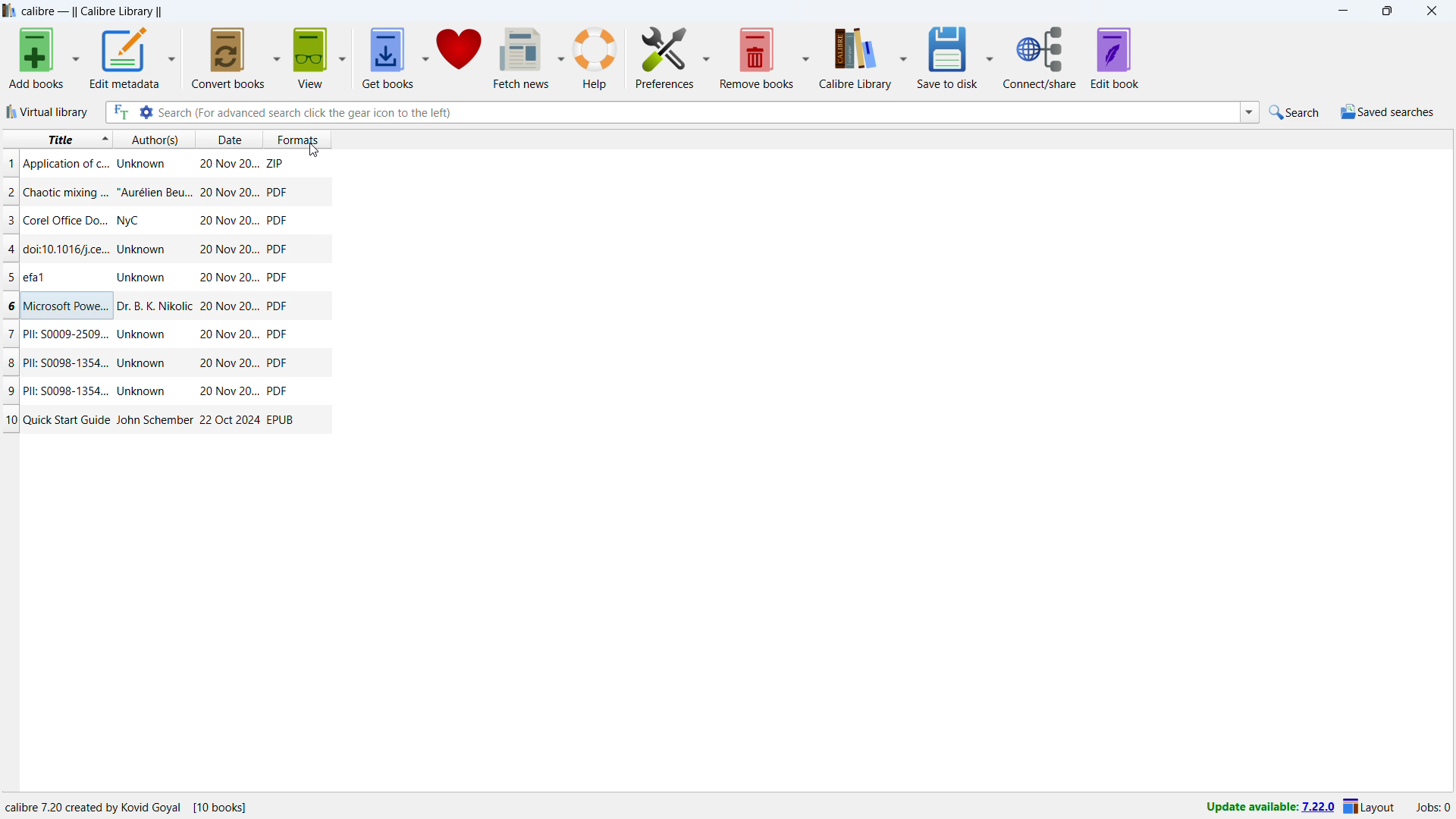  Describe the element at coordinates (9, 306) in the screenshot. I see `6` at that location.